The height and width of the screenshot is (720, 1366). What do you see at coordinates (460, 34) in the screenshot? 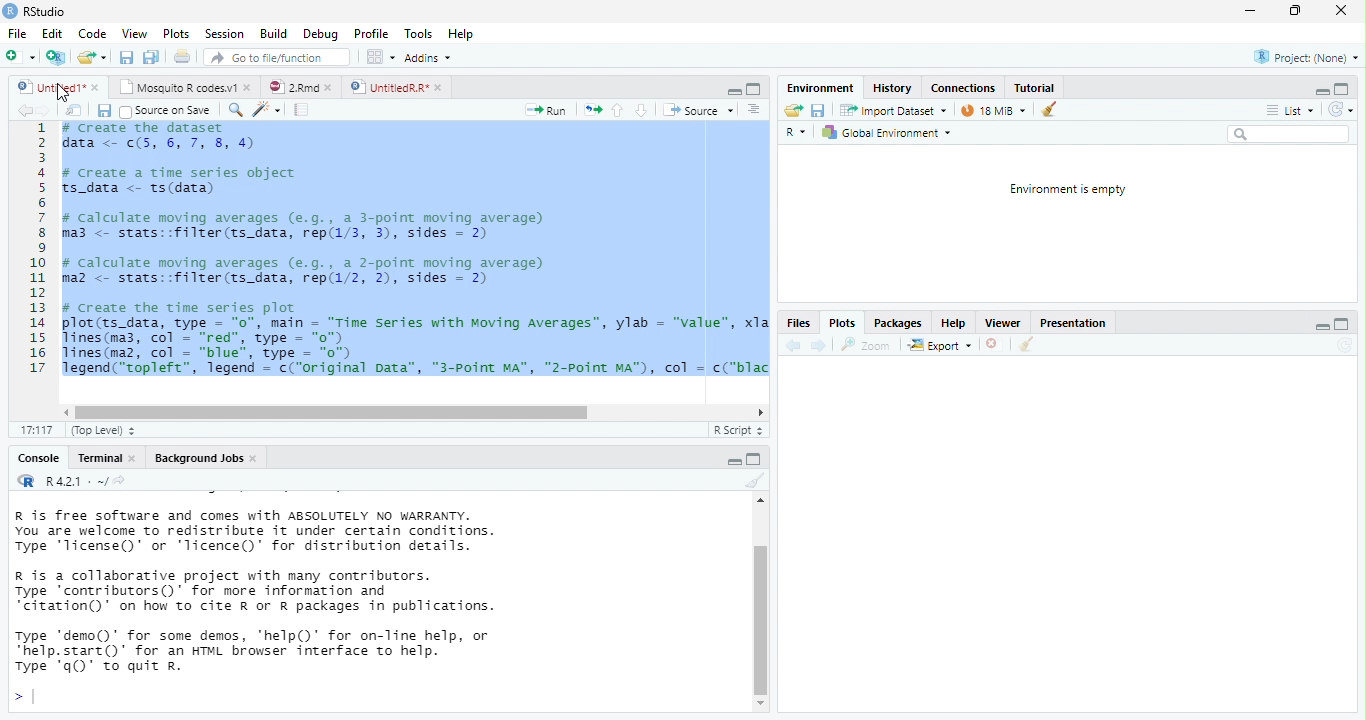
I see `Hep` at bounding box center [460, 34].